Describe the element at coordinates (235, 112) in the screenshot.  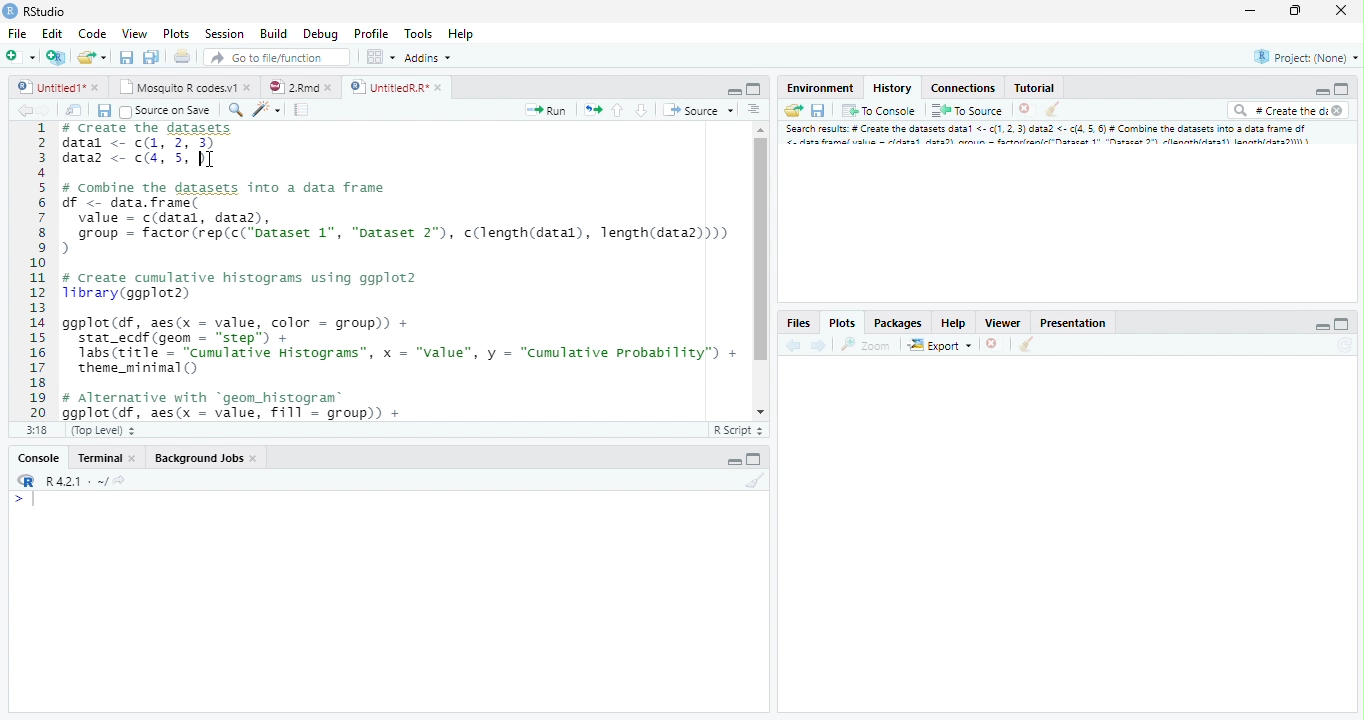
I see `Zoom` at that location.